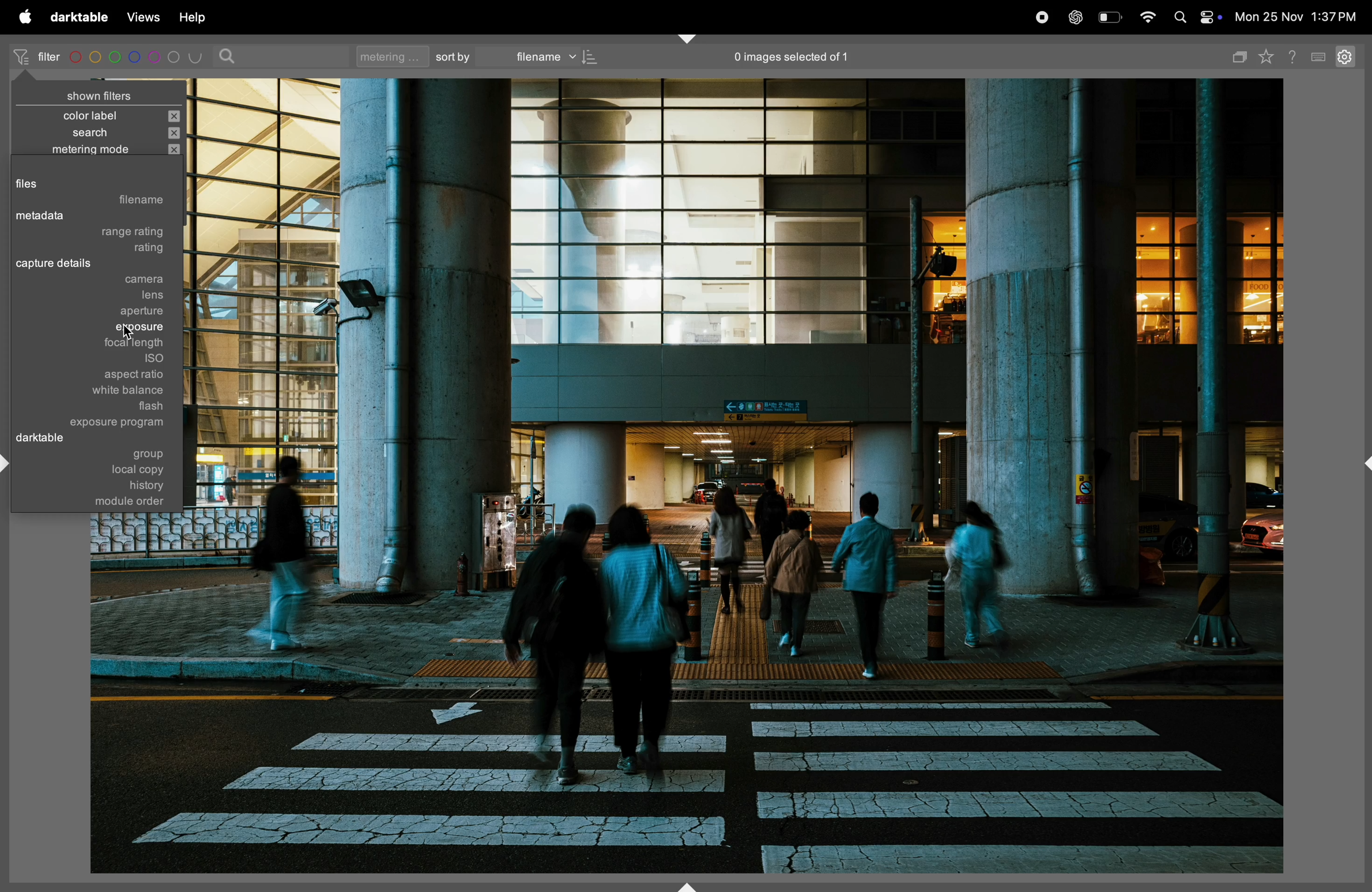 This screenshot has height=892, width=1372. Describe the element at coordinates (202, 17) in the screenshot. I see `help` at that location.